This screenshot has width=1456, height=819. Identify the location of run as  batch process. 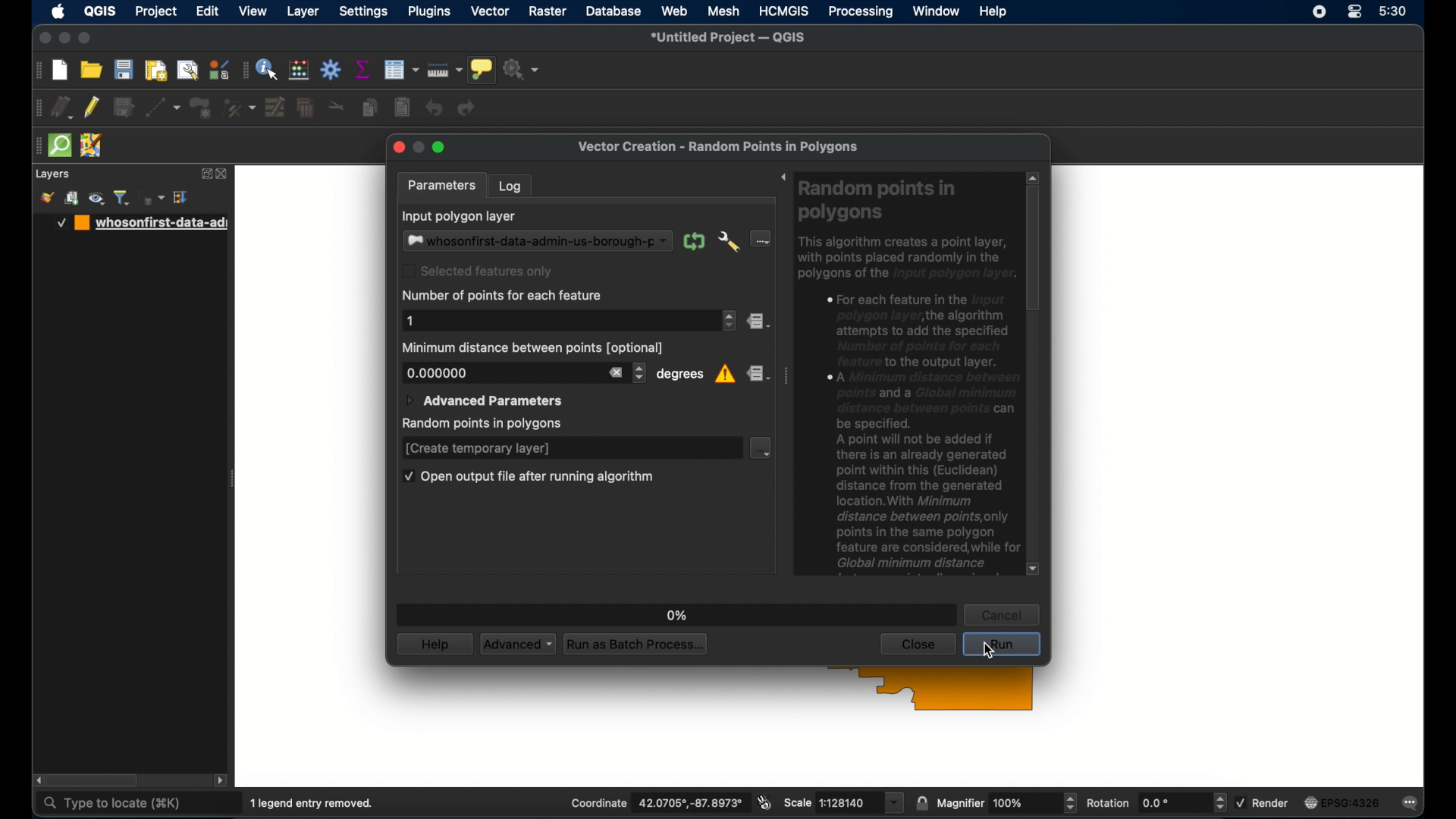
(637, 645).